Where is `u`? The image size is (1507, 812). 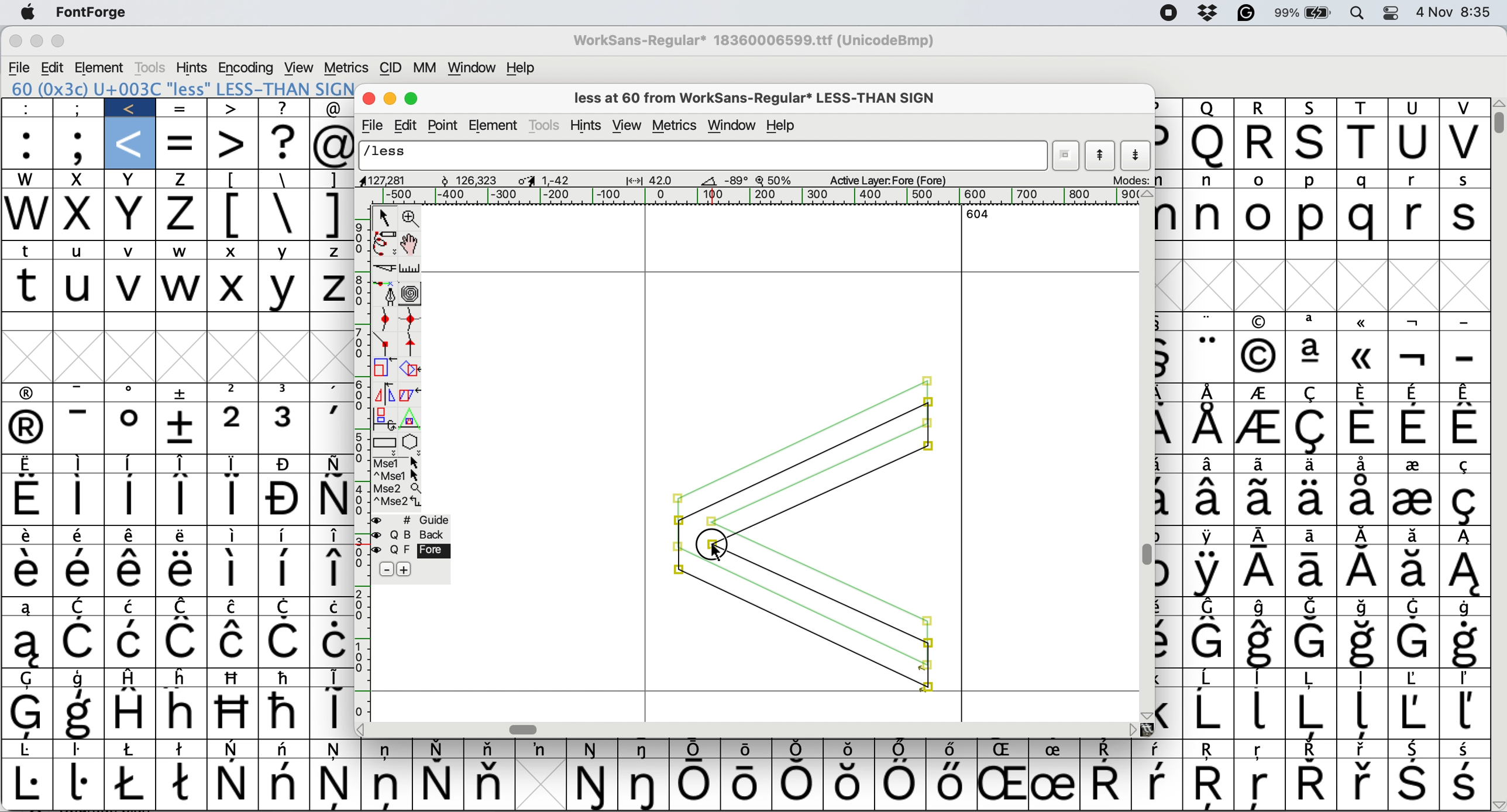 u is located at coordinates (81, 249).